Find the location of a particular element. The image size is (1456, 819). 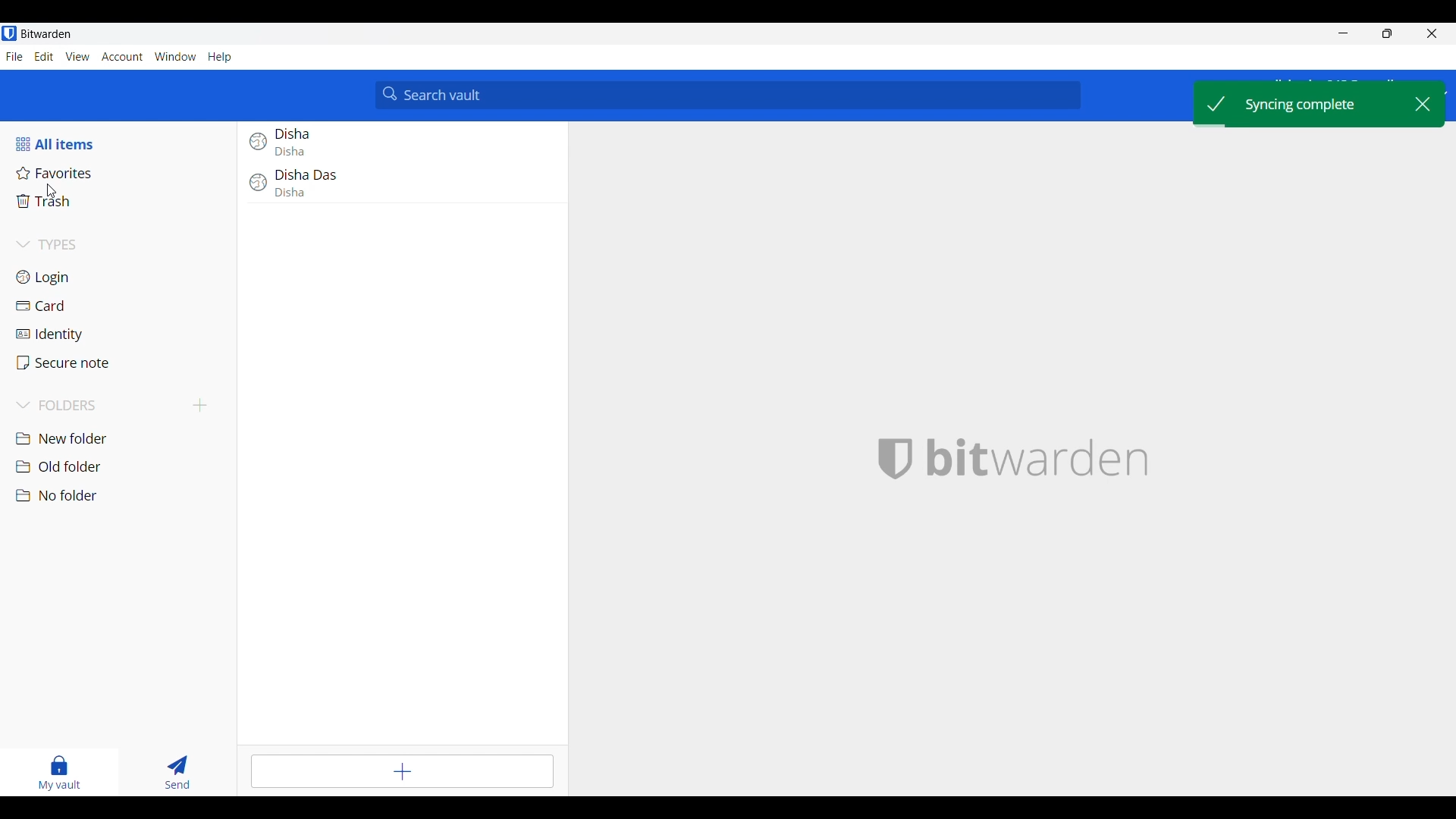

All items is located at coordinates (71, 145).